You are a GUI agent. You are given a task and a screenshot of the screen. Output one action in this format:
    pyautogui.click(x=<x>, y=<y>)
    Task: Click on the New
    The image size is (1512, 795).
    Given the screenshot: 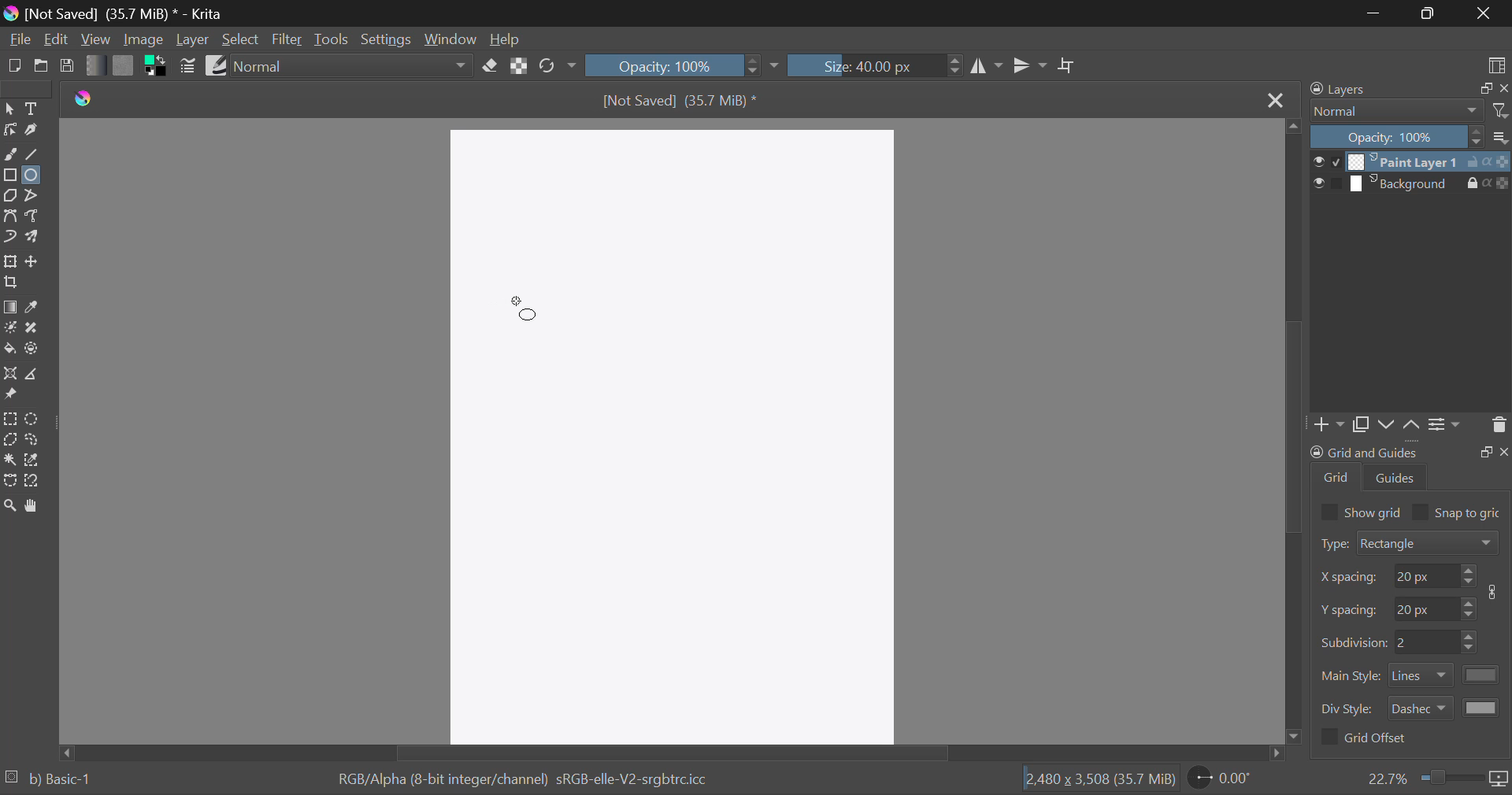 What is the action you would take?
    pyautogui.click(x=14, y=66)
    